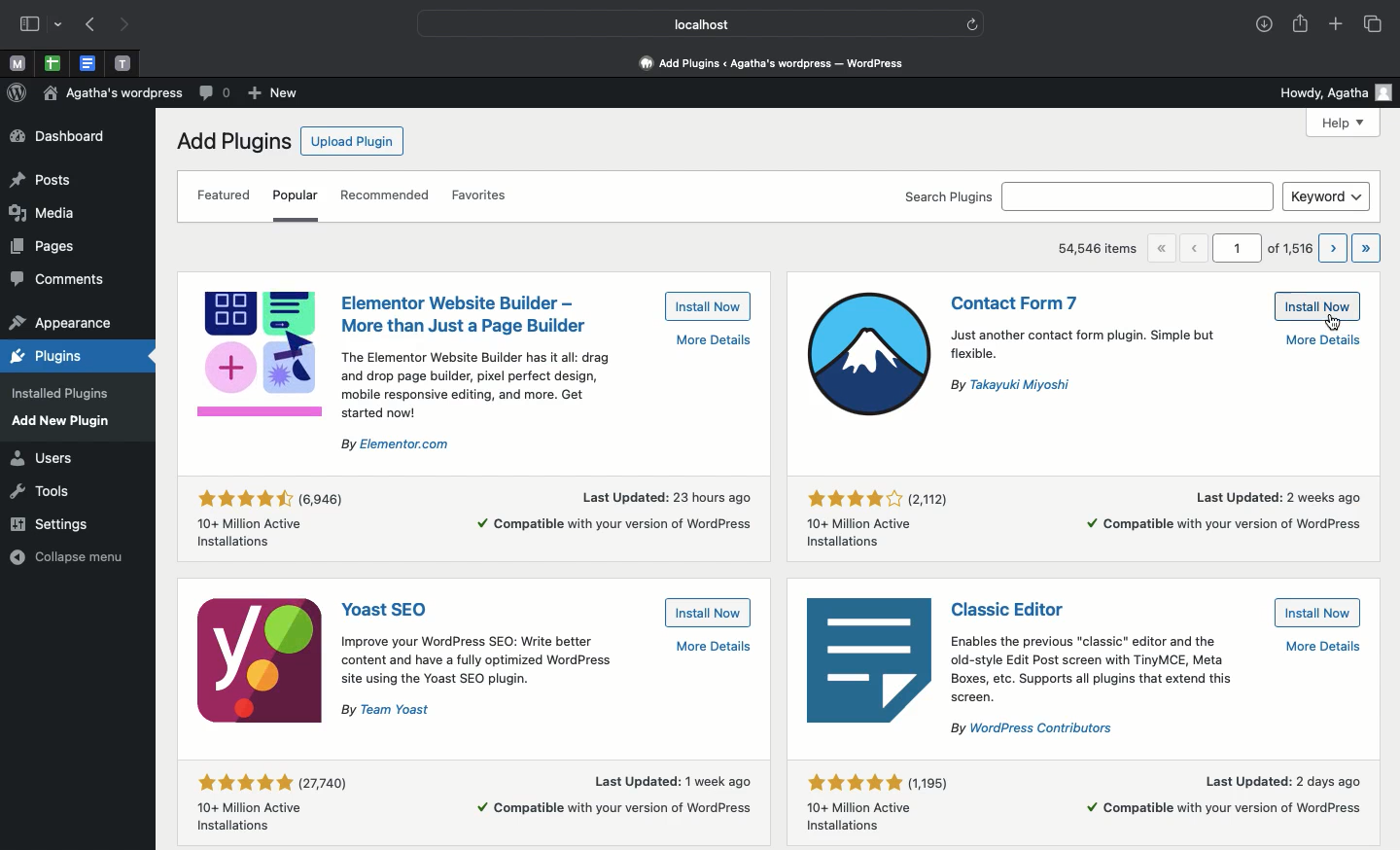  Describe the element at coordinates (44, 213) in the screenshot. I see `media` at that location.